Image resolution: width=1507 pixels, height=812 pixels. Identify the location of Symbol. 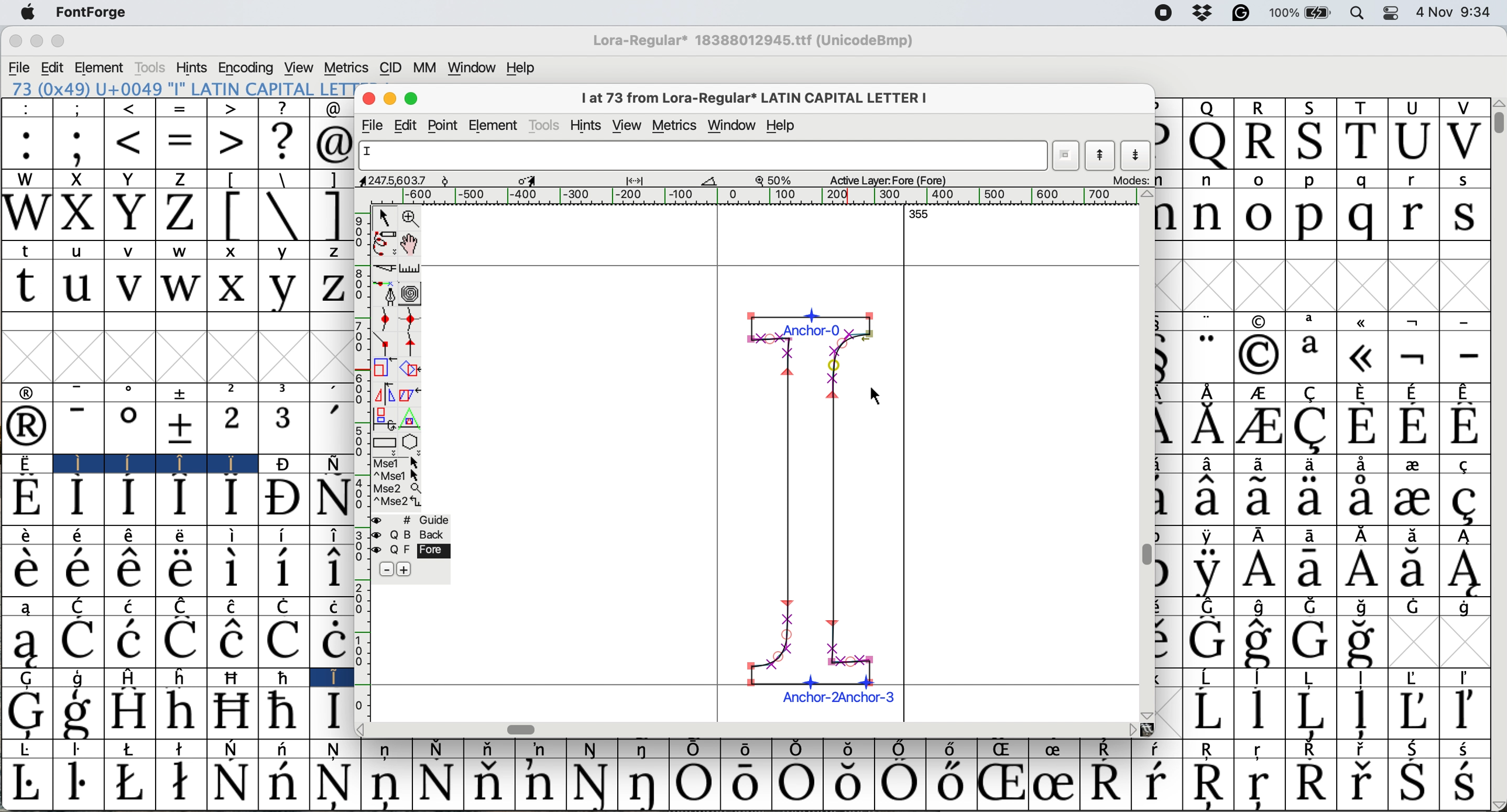
(131, 536).